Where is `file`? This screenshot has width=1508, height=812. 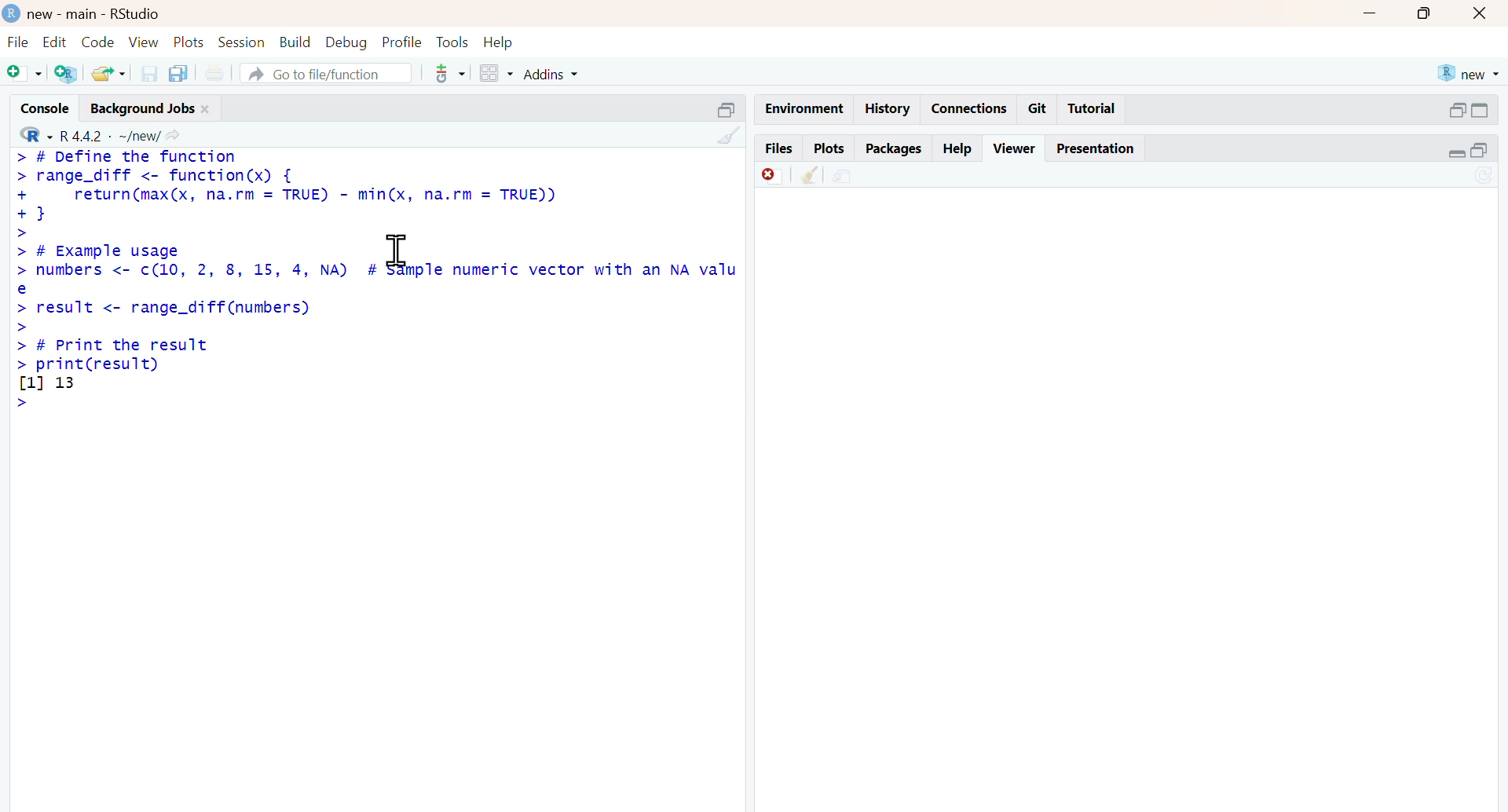
file is located at coordinates (19, 42).